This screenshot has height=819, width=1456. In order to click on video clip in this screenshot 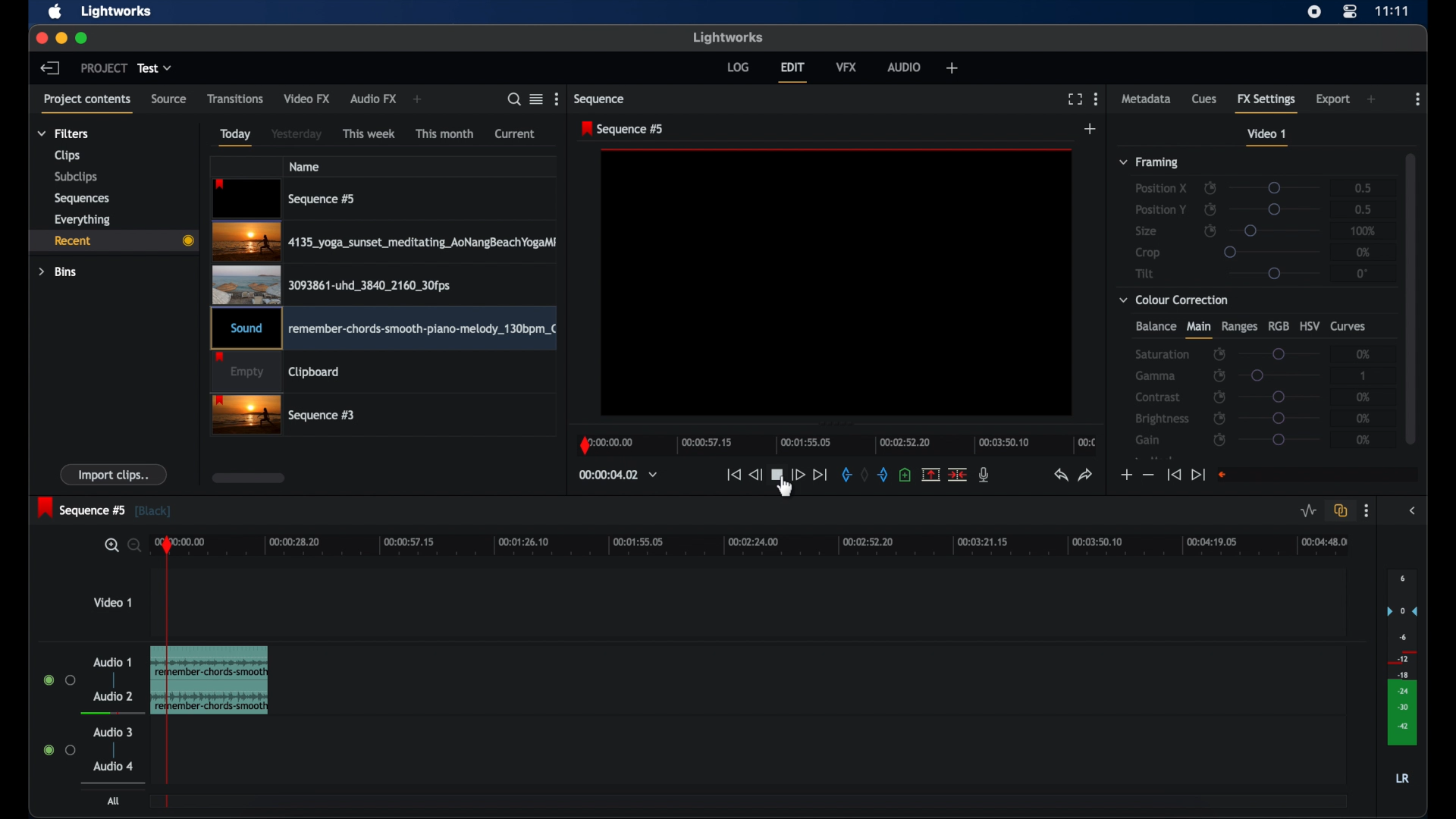, I will do `click(276, 373)`.